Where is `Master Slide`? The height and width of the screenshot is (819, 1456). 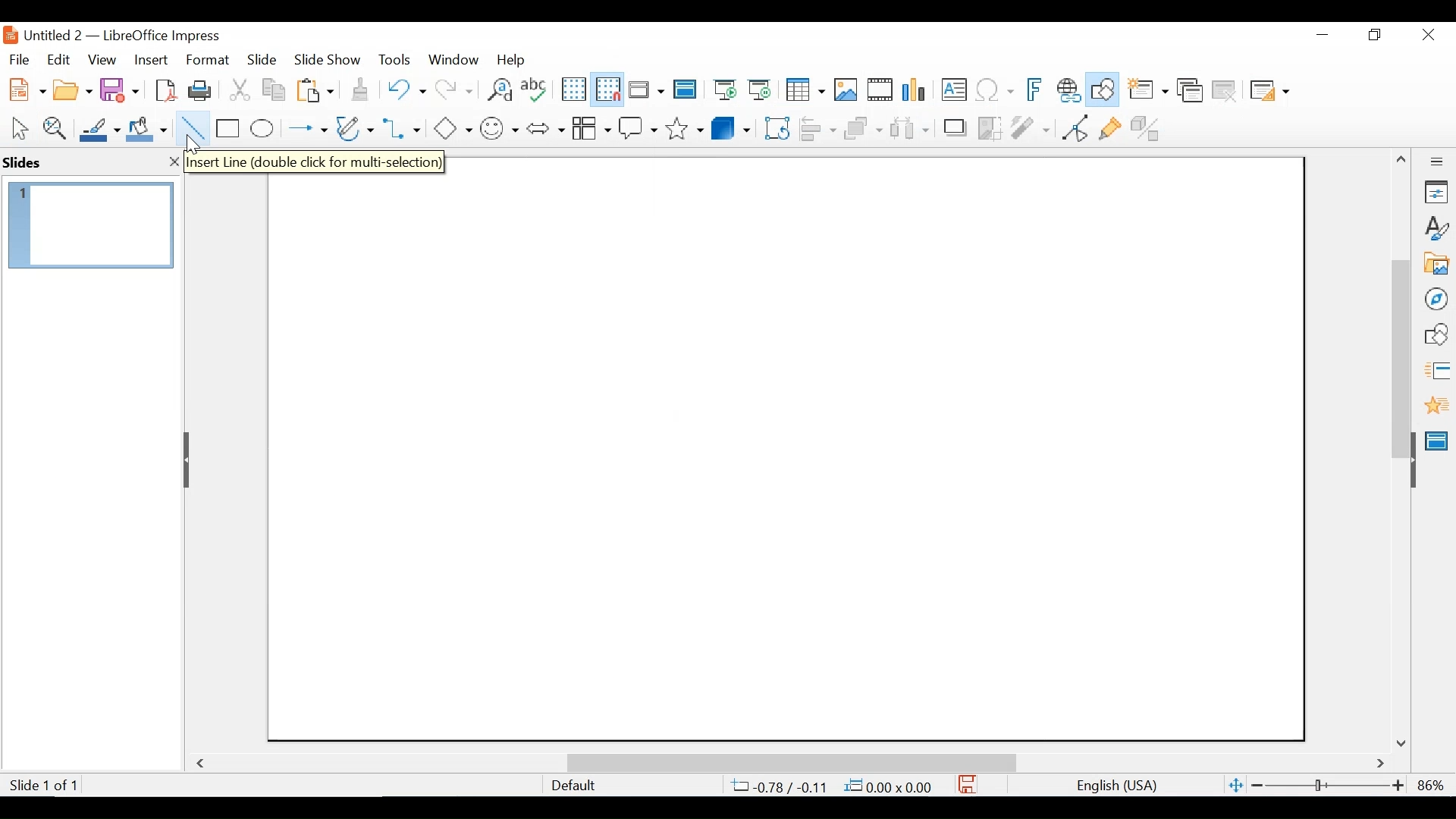 Master Slide is located at coordinates (1439, 439).